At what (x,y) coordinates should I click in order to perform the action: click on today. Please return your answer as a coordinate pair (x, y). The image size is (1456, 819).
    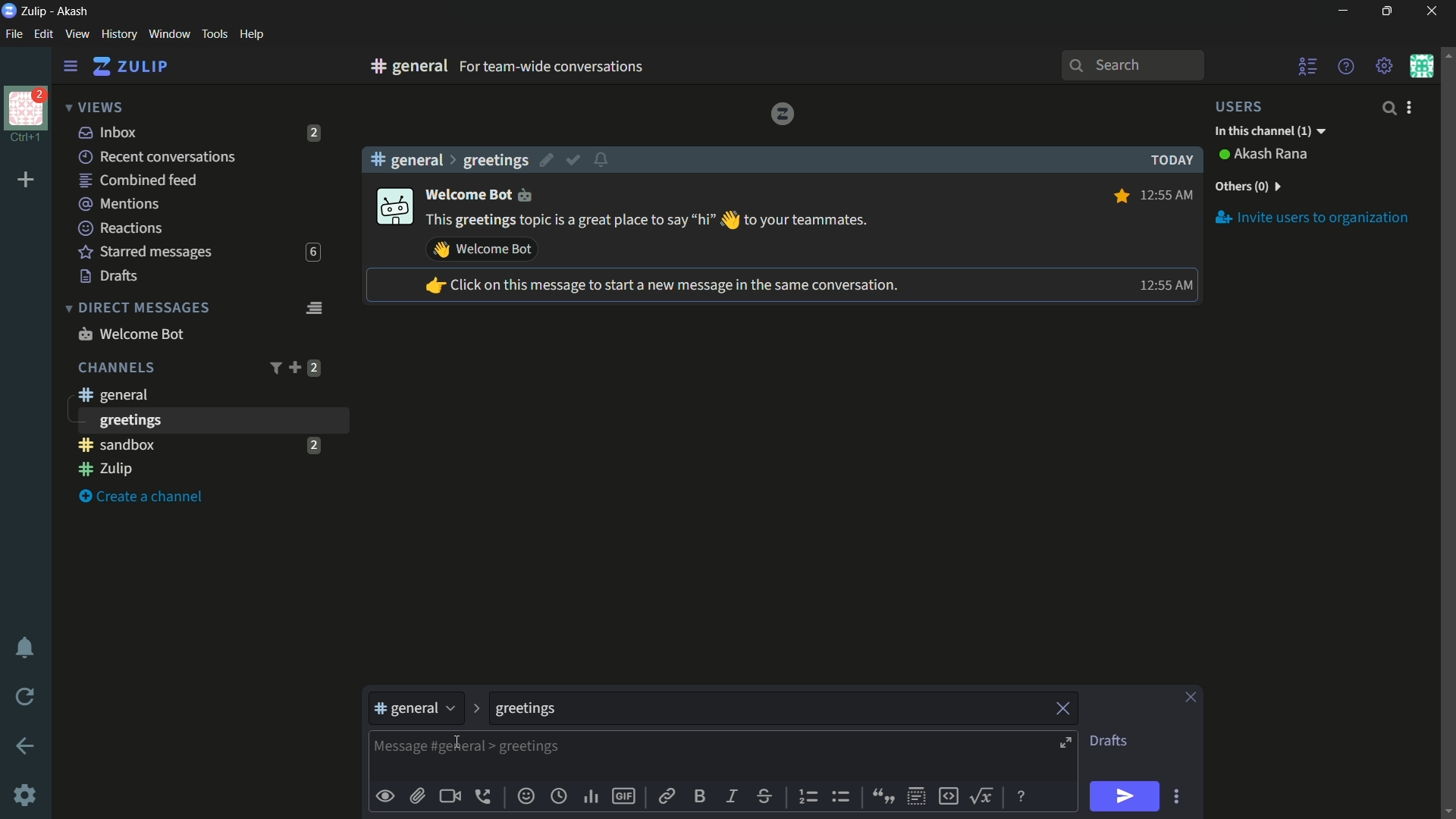
    Looking at the image, I should click on (1168, 160).